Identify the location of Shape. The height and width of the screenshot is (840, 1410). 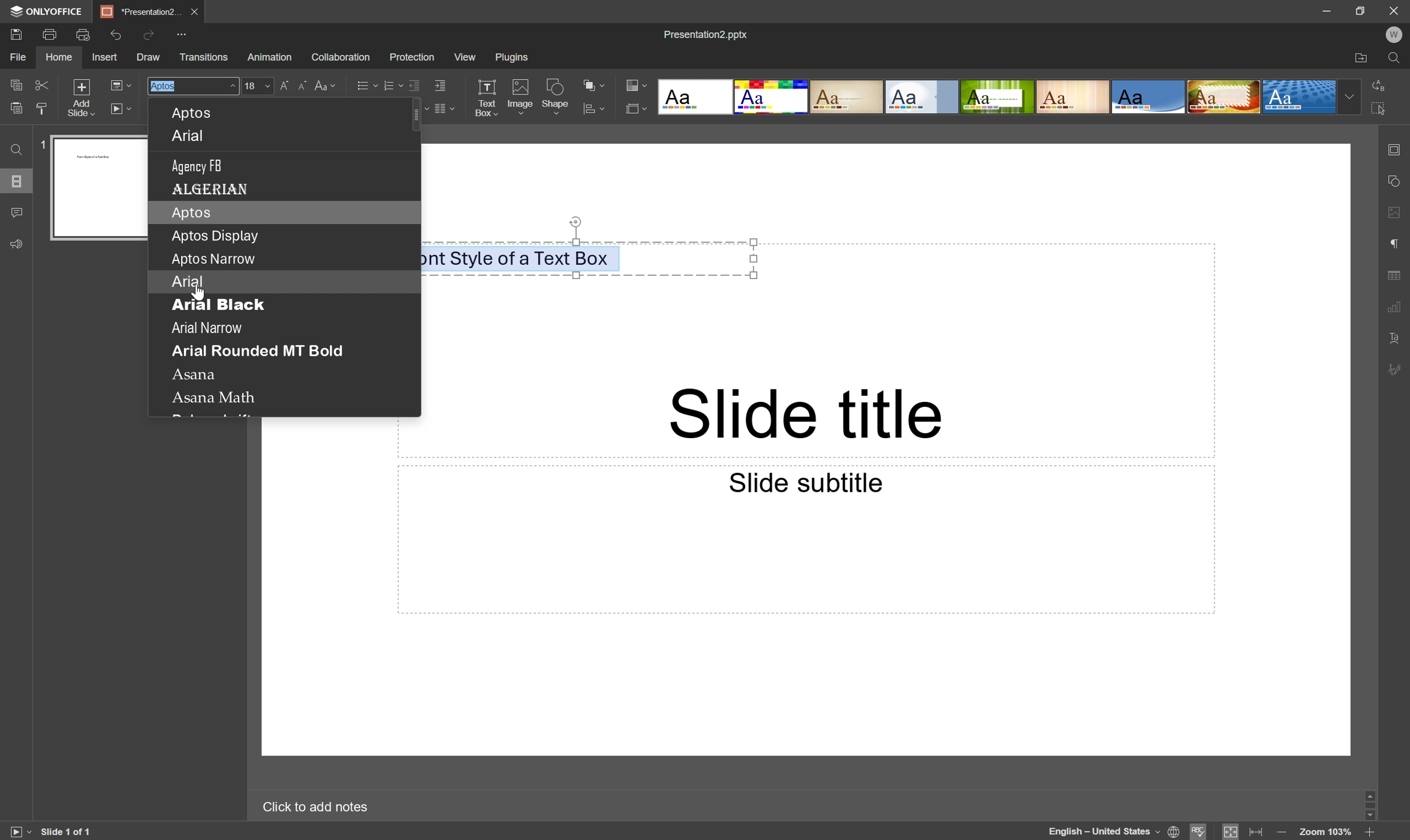
(558, 97).